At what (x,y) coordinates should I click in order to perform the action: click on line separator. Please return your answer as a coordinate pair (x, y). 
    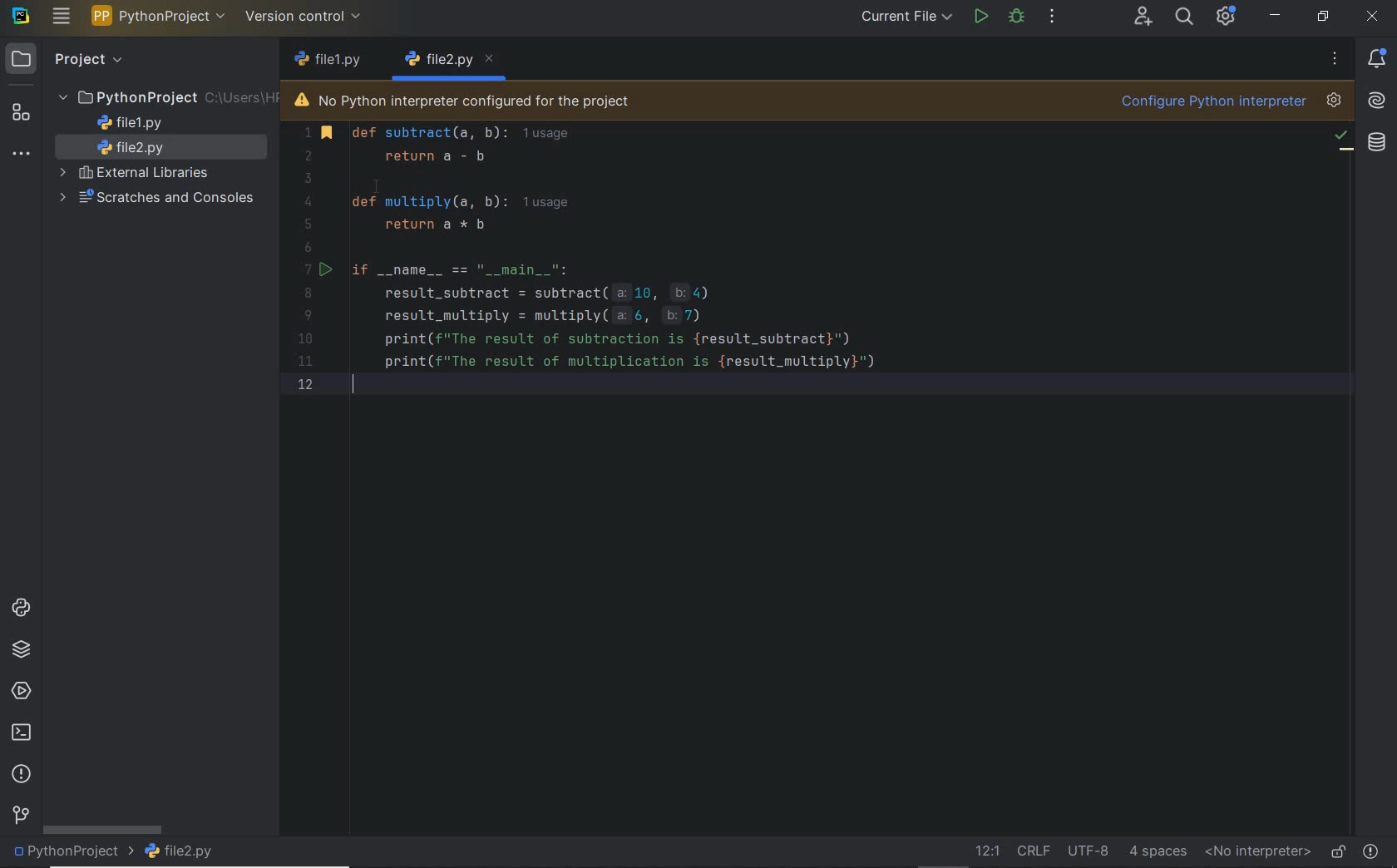
    Looking at the image, I should click on (1034, 851).